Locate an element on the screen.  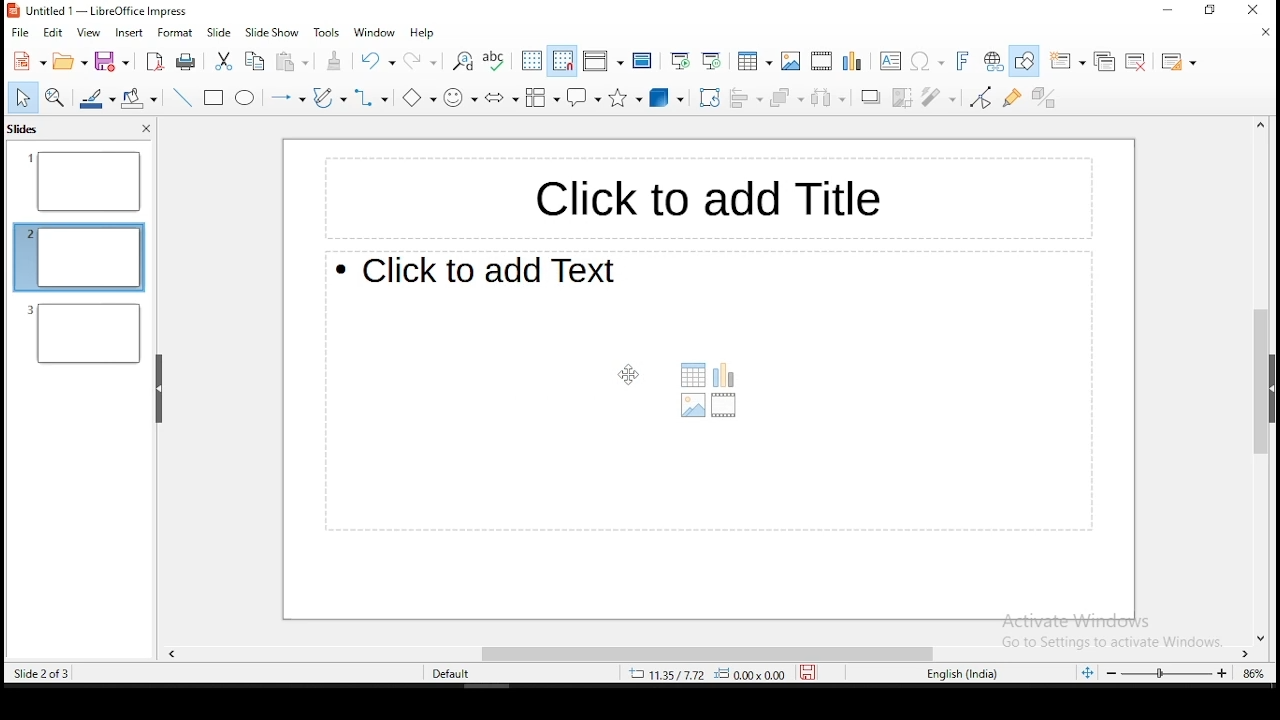
text box is located at coordinates (709, 392).